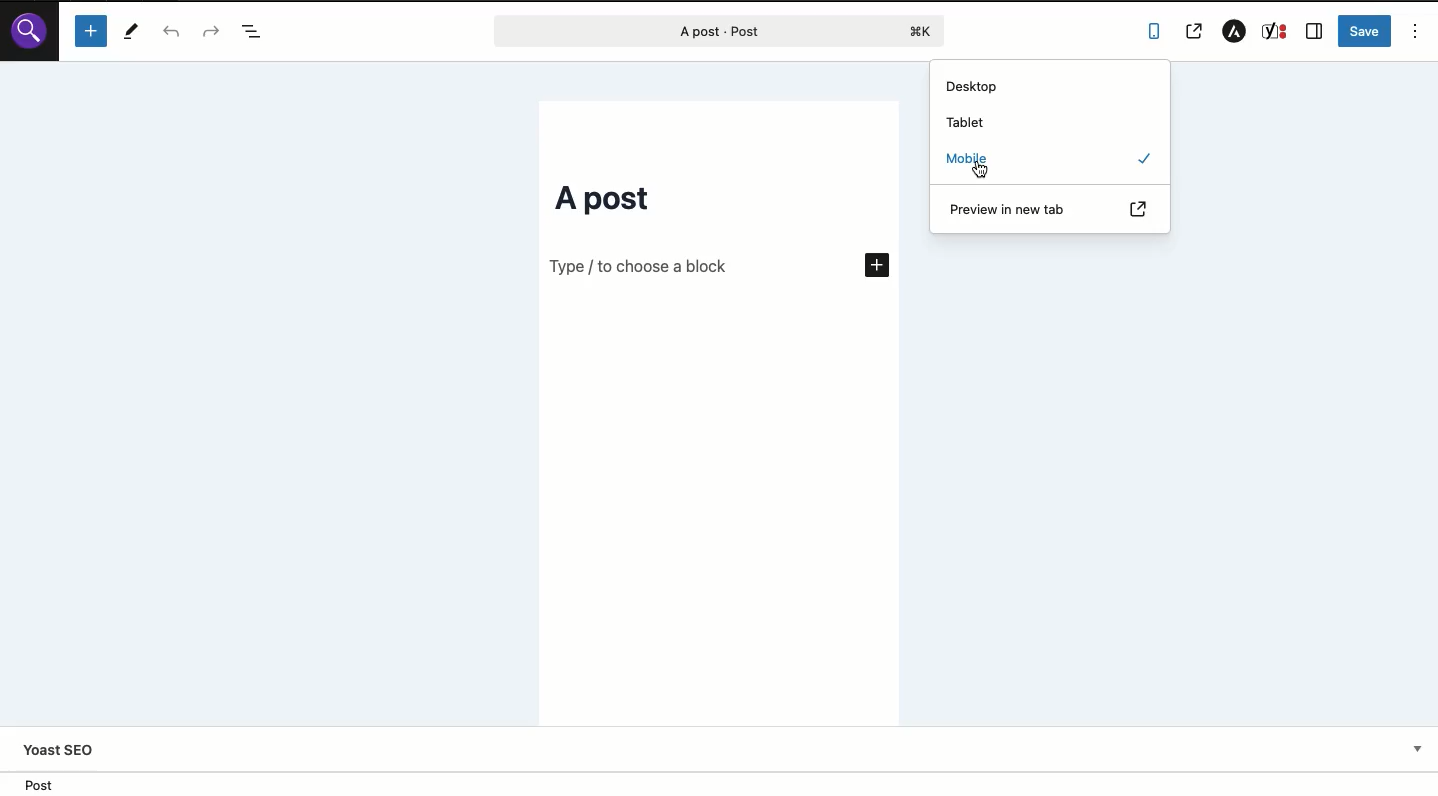 Image resolution: width=1438 pixels, height=796 pixels. I want to click on Post, so click(708, 31).